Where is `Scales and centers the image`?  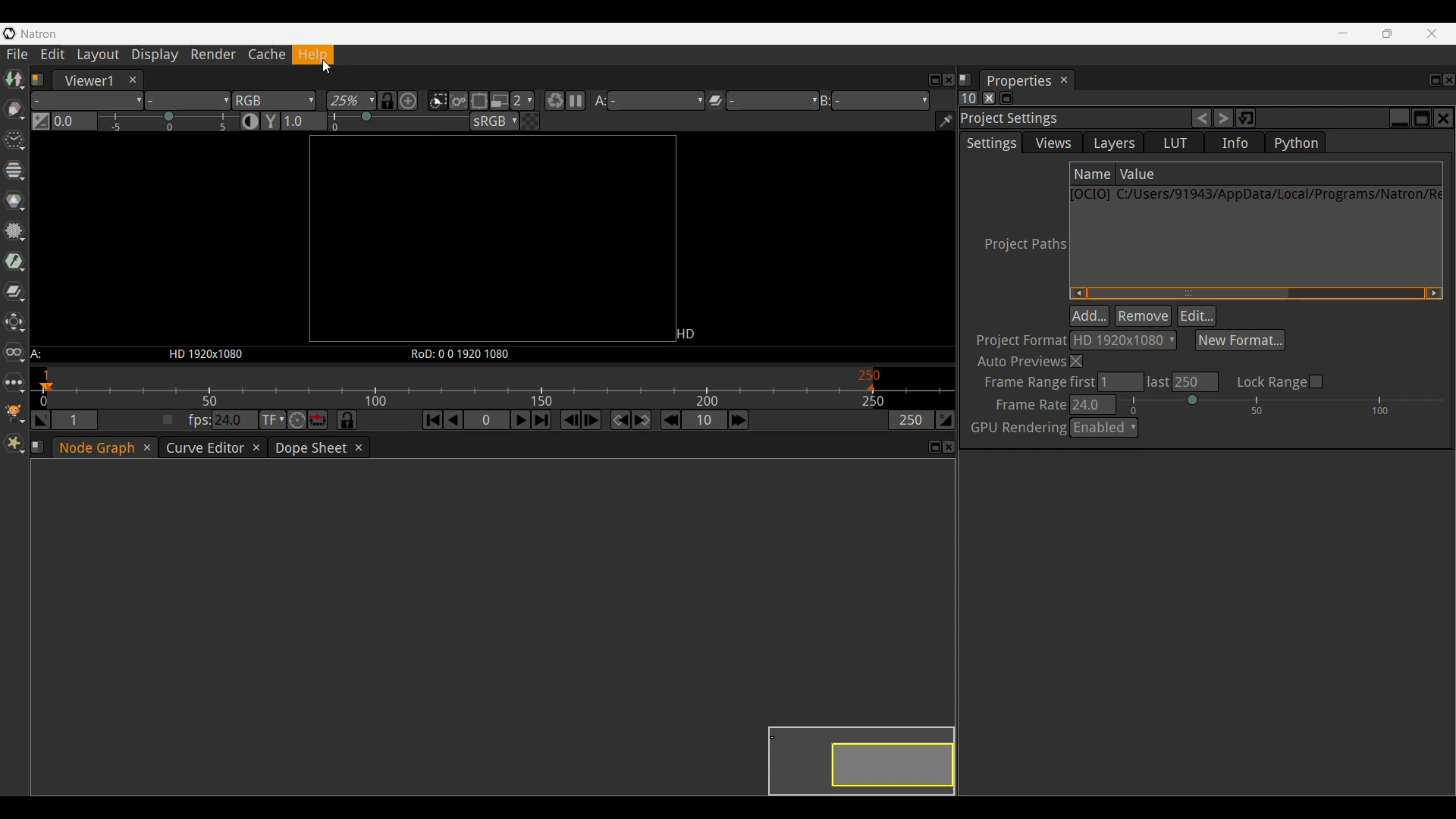
Scales and centers the image is located at coordinates (409, 101).